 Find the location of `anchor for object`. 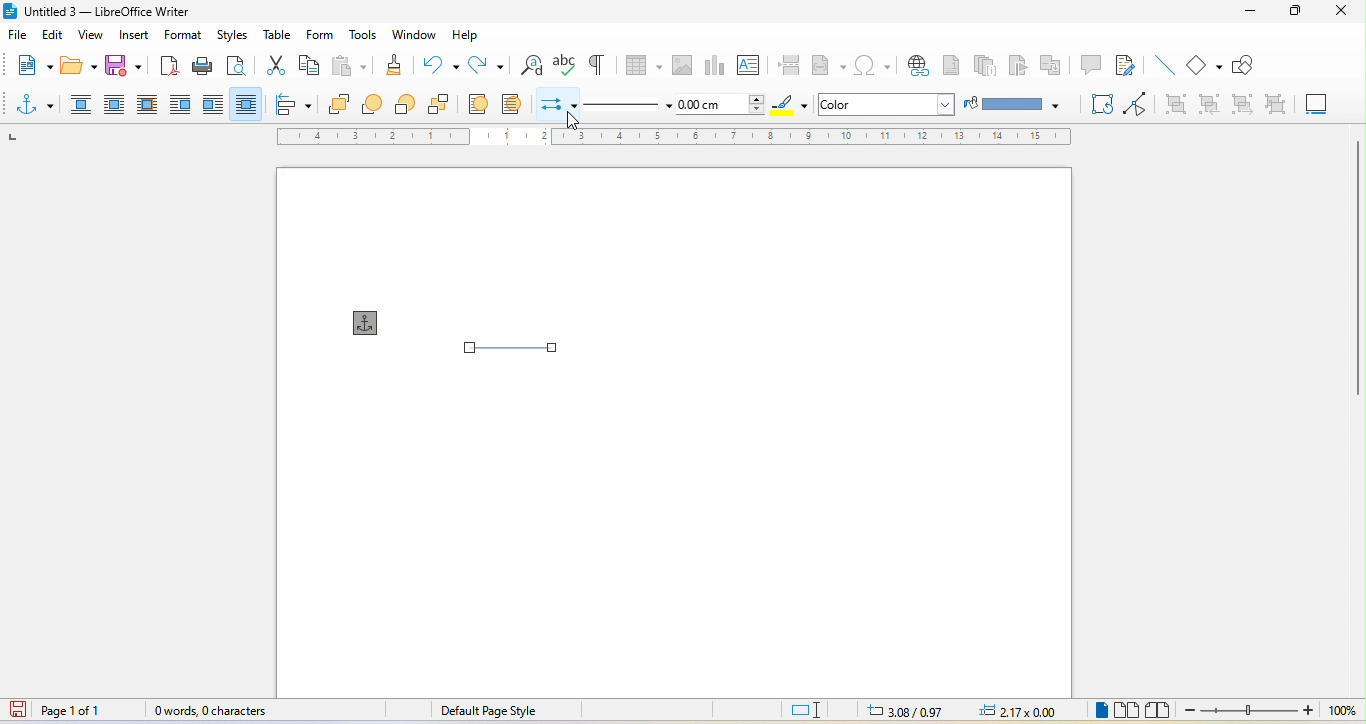

anchor for object is located at coordinates (372, 322).